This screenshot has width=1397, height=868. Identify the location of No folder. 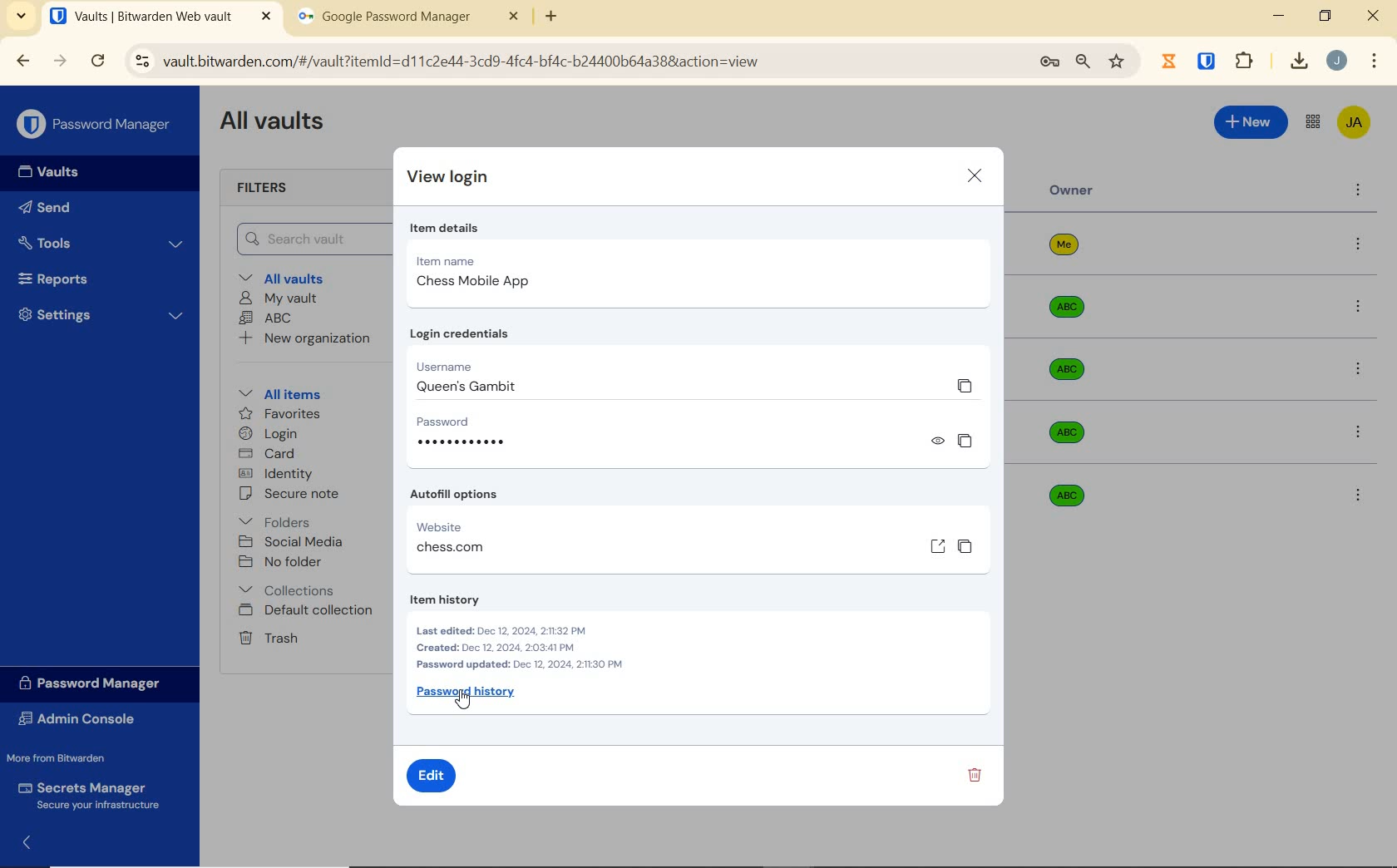
(283, 562).